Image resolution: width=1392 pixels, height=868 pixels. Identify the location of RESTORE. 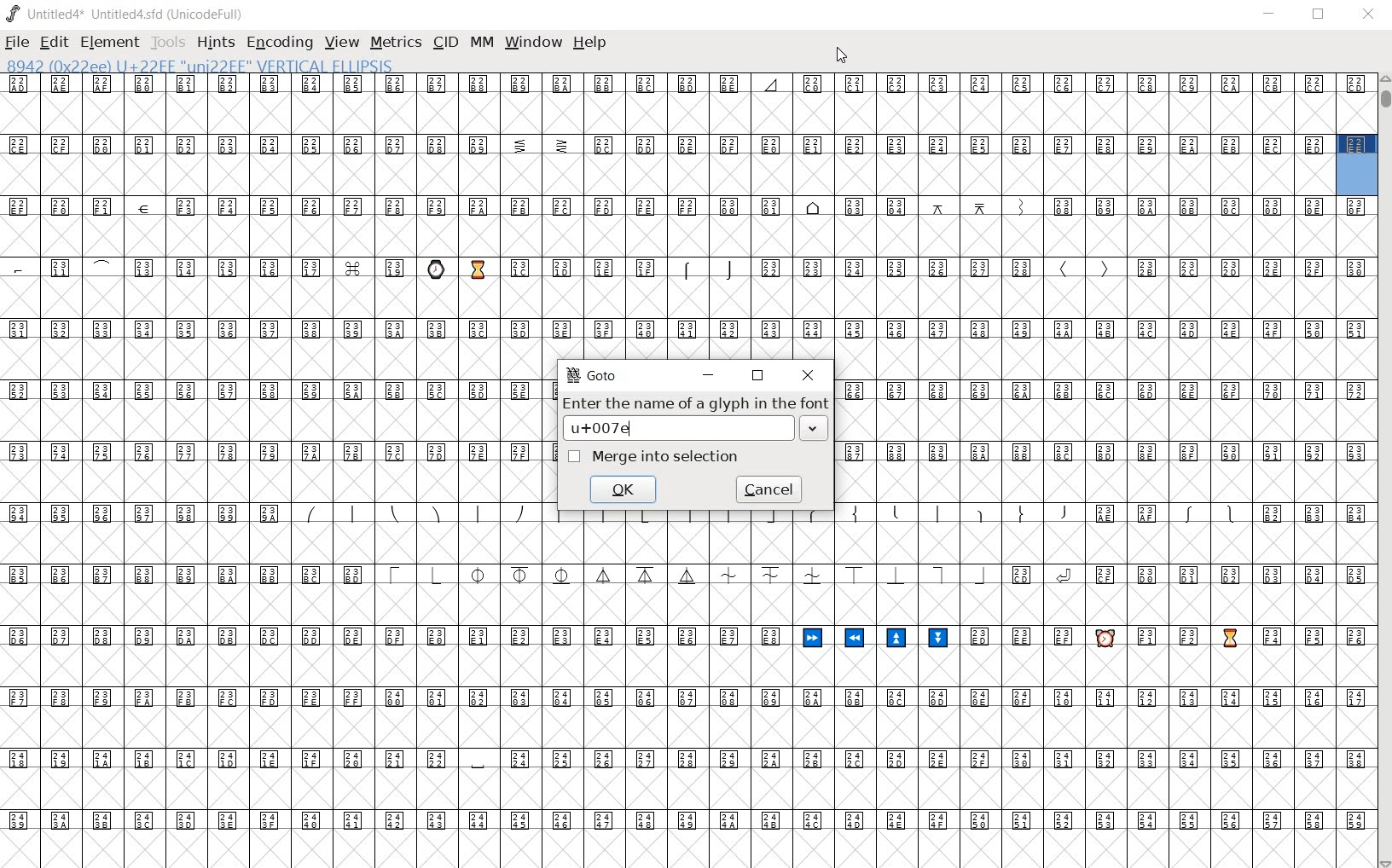
(1322, 15).